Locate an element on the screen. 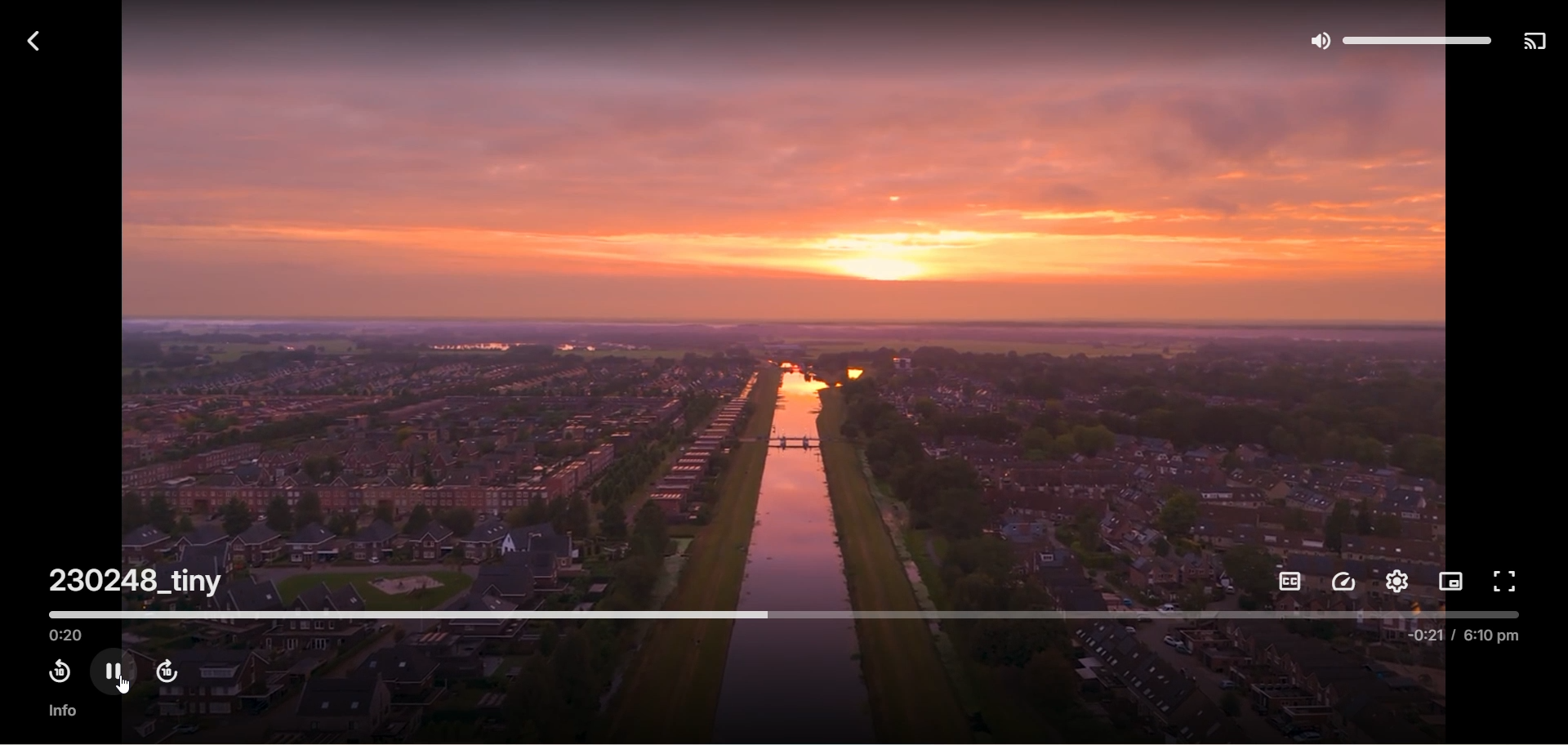 This screenshot has width=1568, height=745. played time 0:20 is located at coordinates (68, 636).